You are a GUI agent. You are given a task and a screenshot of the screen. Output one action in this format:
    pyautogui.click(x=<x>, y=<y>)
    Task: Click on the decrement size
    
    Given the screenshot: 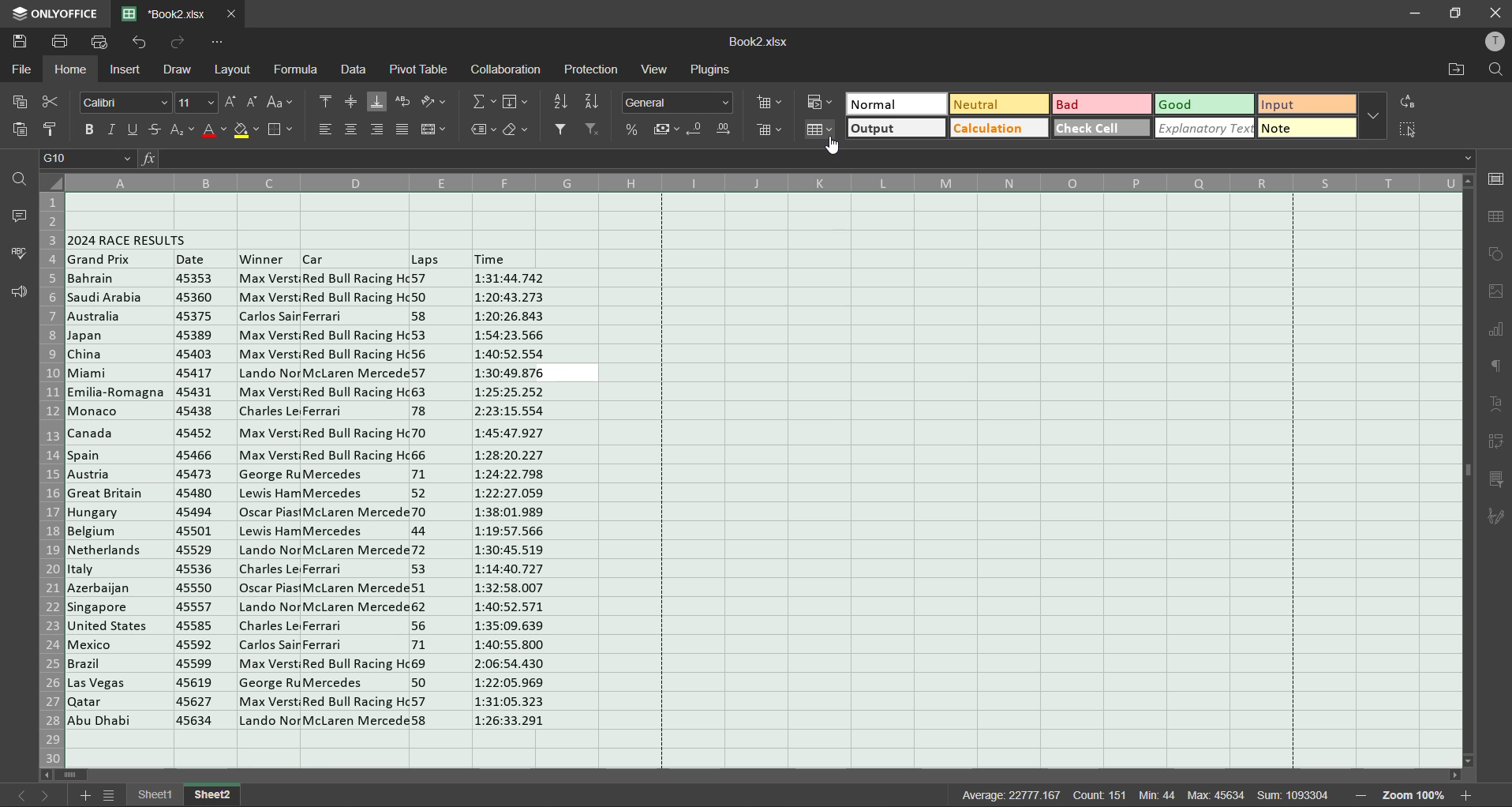 What is the action you would take?
    pyautogui.click(x=253, y=103)
    